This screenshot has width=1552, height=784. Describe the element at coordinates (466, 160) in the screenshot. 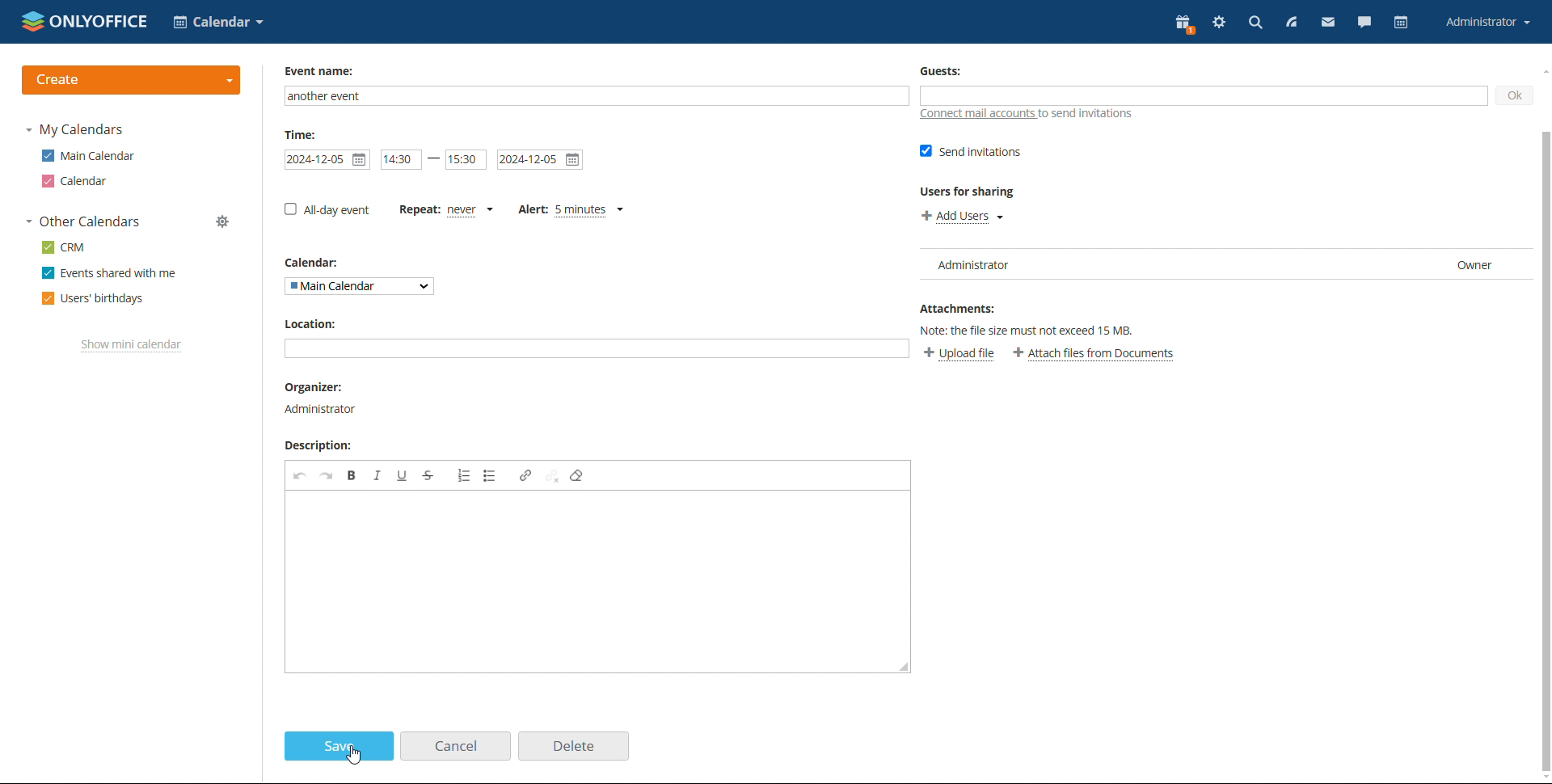

I see `end time` at that location.